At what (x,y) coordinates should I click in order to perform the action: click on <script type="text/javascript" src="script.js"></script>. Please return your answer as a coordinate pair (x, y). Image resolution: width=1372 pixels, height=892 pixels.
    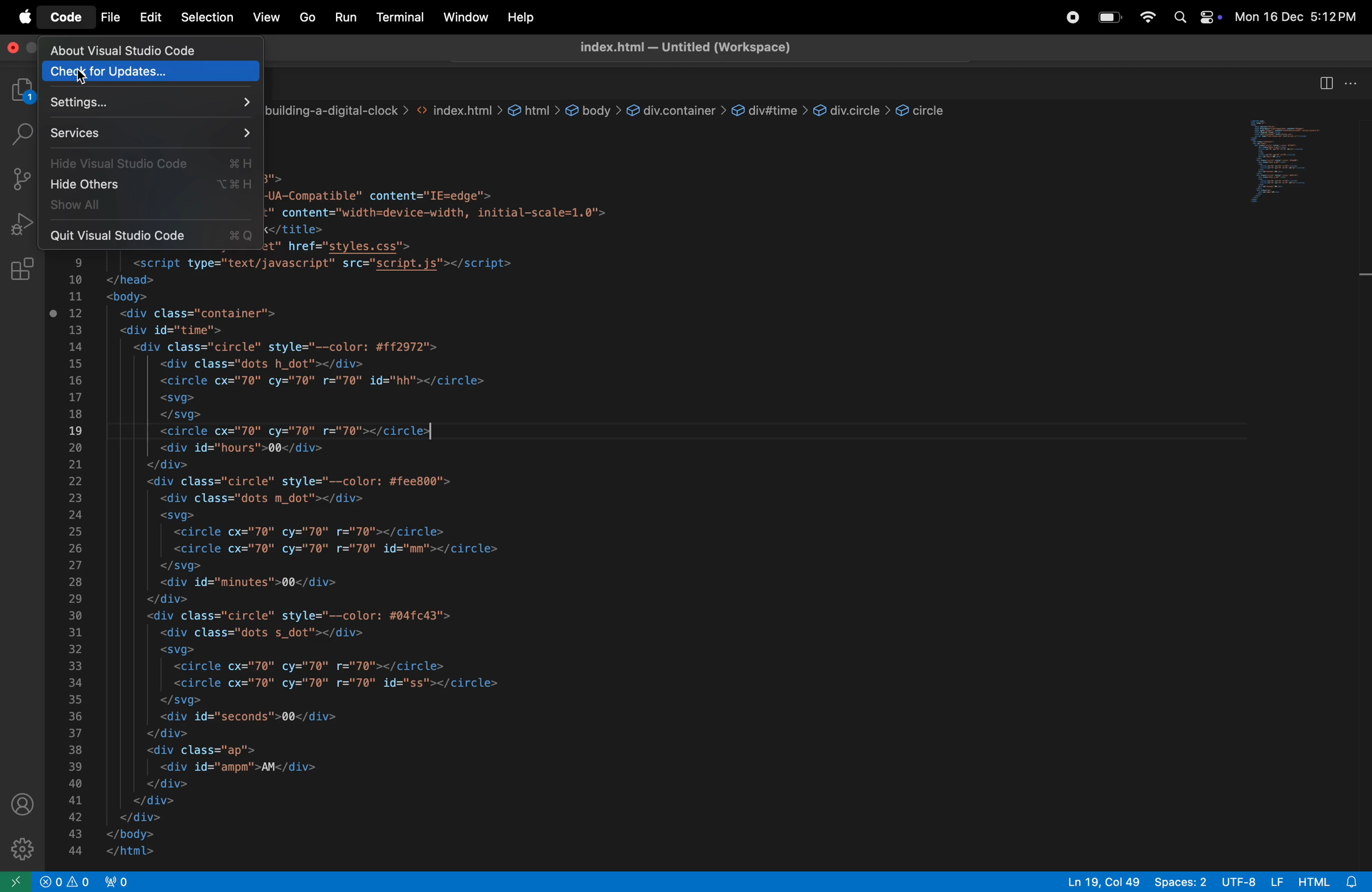
    Looking at the image, I should click on (339, 264).